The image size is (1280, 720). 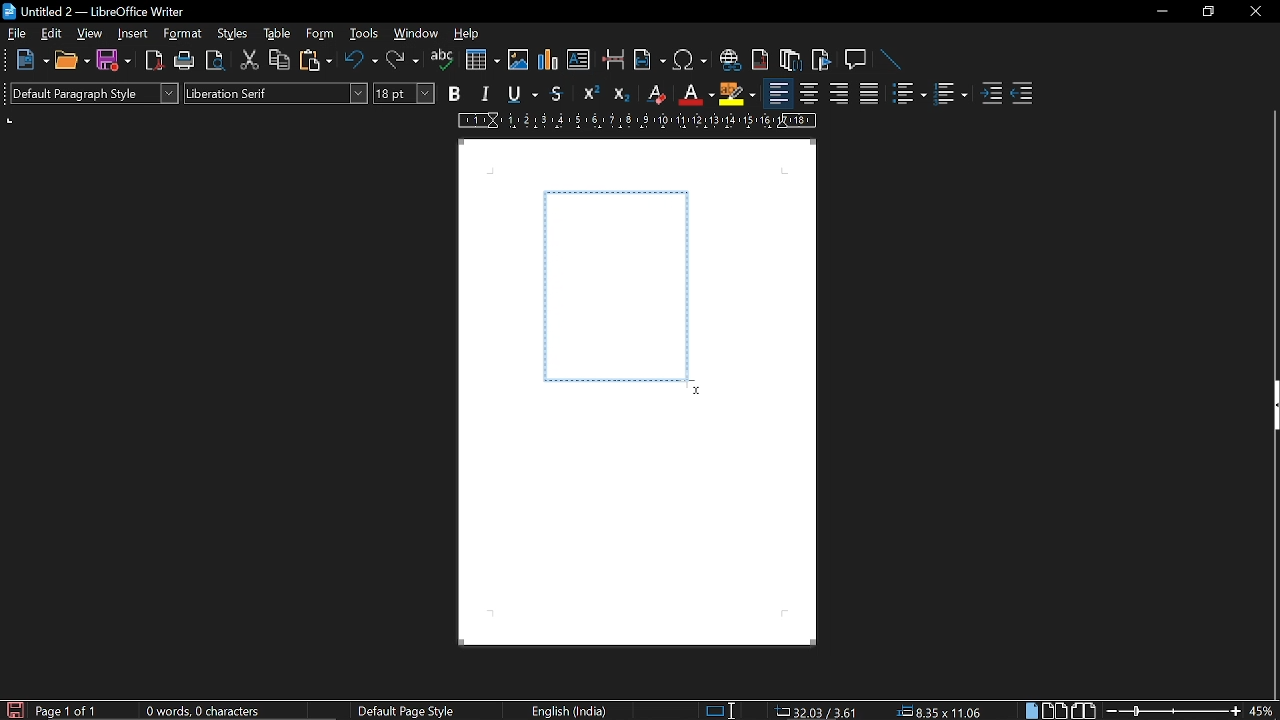 I want to click on Untitled 2 - LibreOffice Writer, so click(x=100, y=13).